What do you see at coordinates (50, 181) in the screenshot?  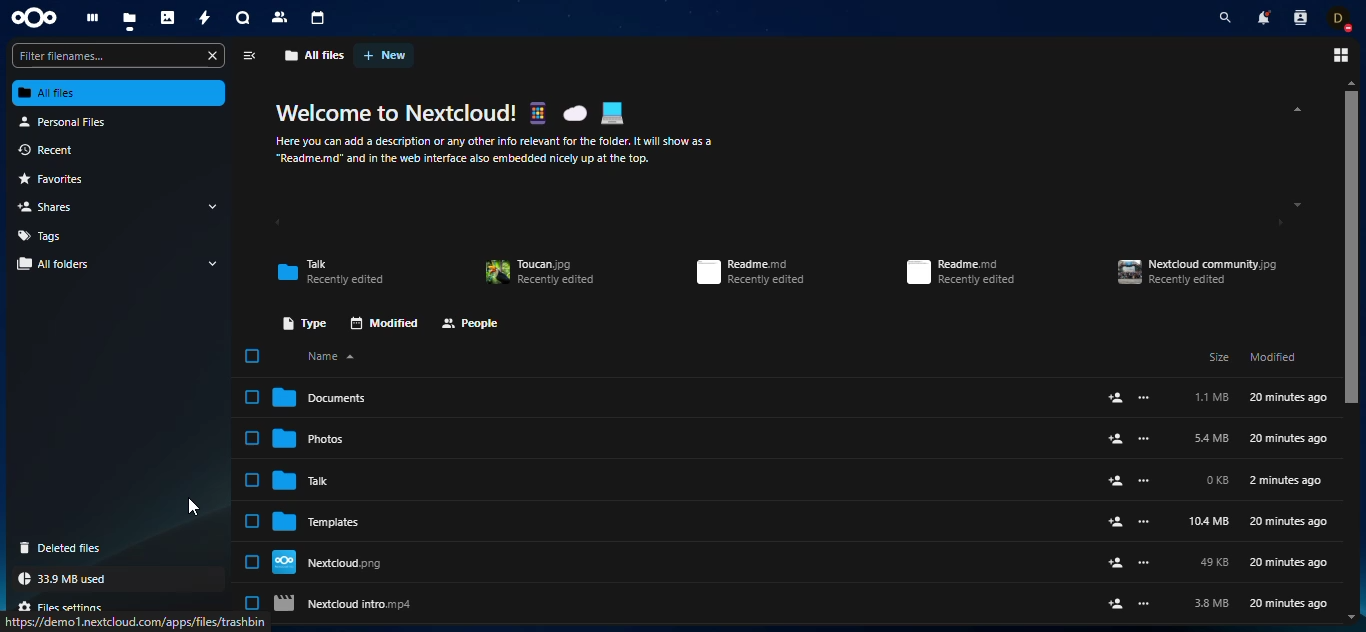 I see `Favorites` at bounding box center [50, 181].